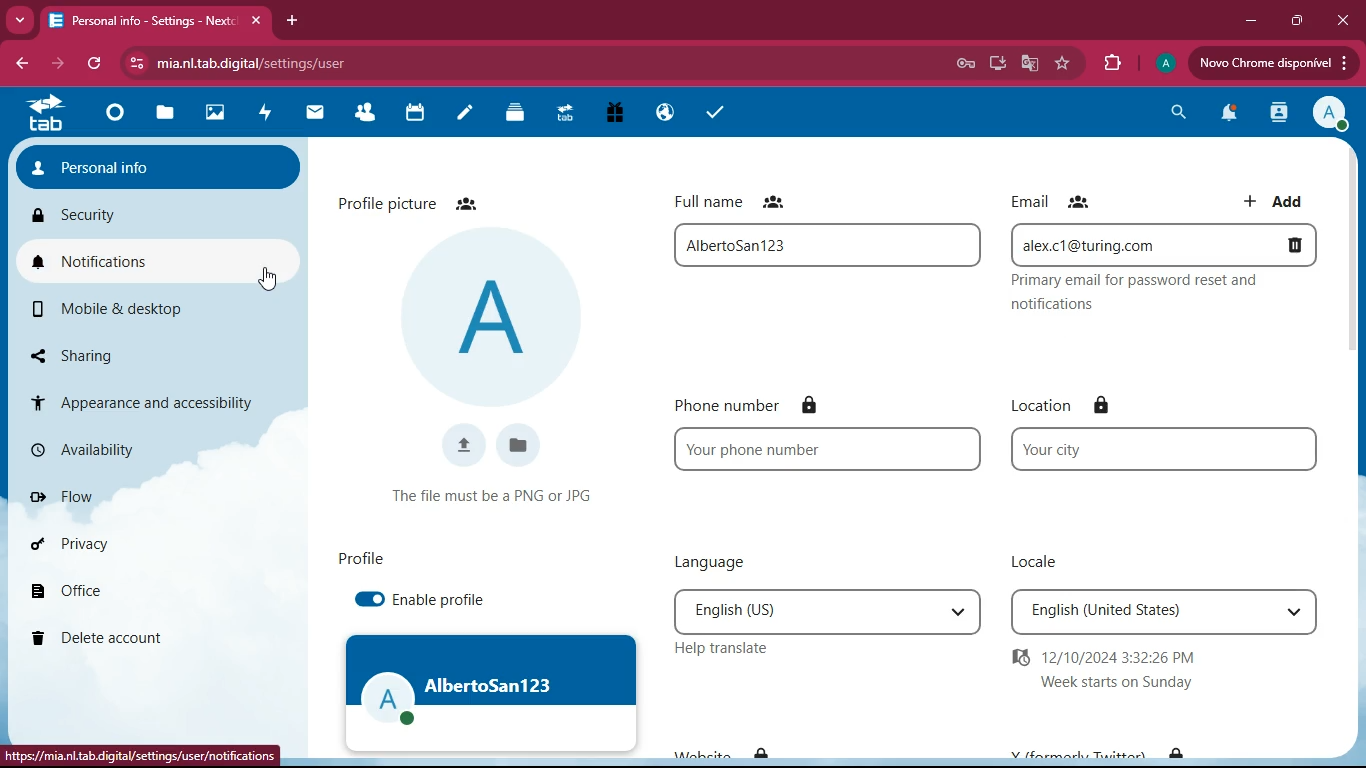 This screenshot has width=1366, height=768. What do you see at coordinates (156, 22) in the screenshot?
I see `tab` at bounding box center [156, 22].